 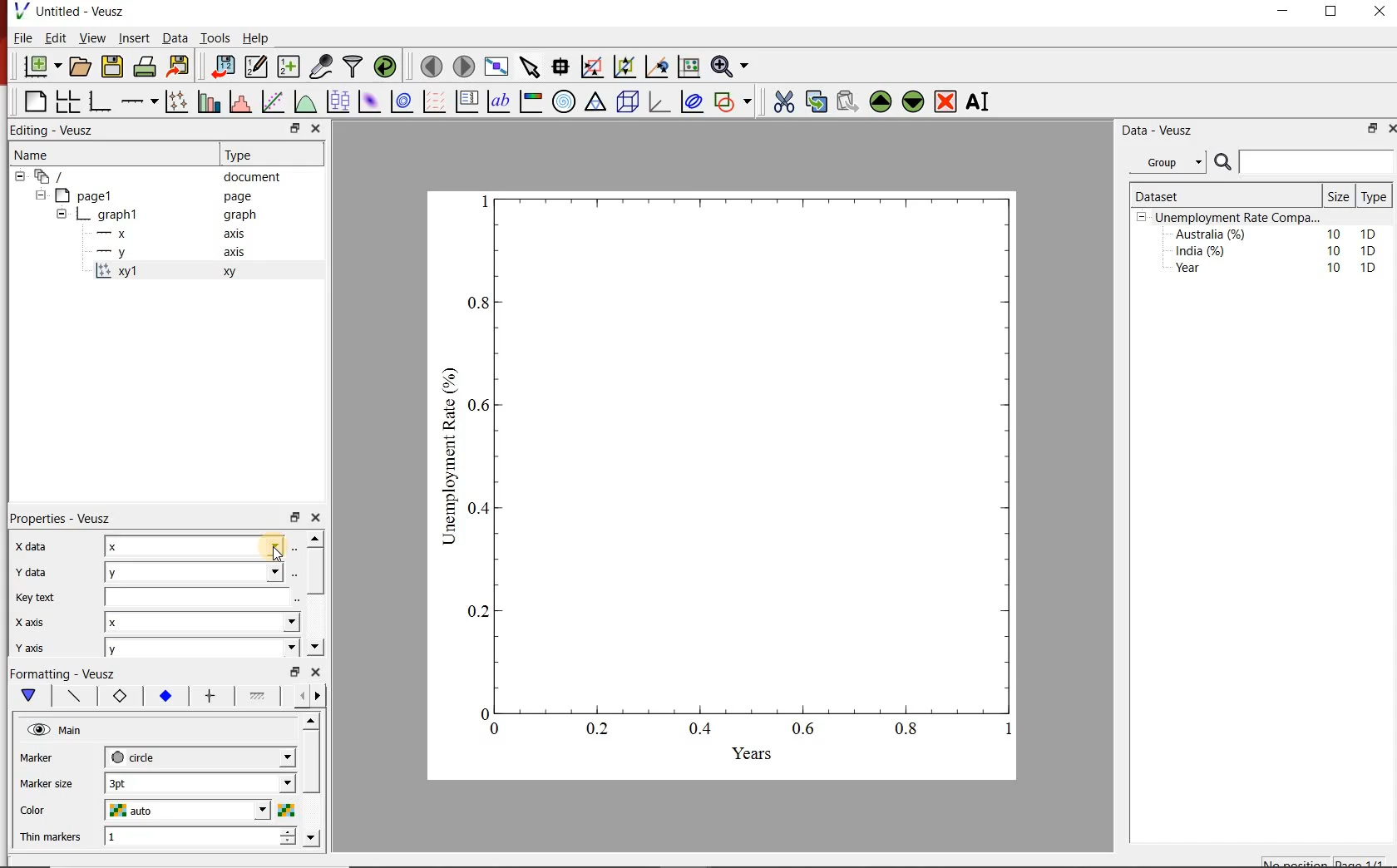 What do you see at coordinates (276, 557) in the screenshot?
I see `cursor` at bounding box center [276, 557].